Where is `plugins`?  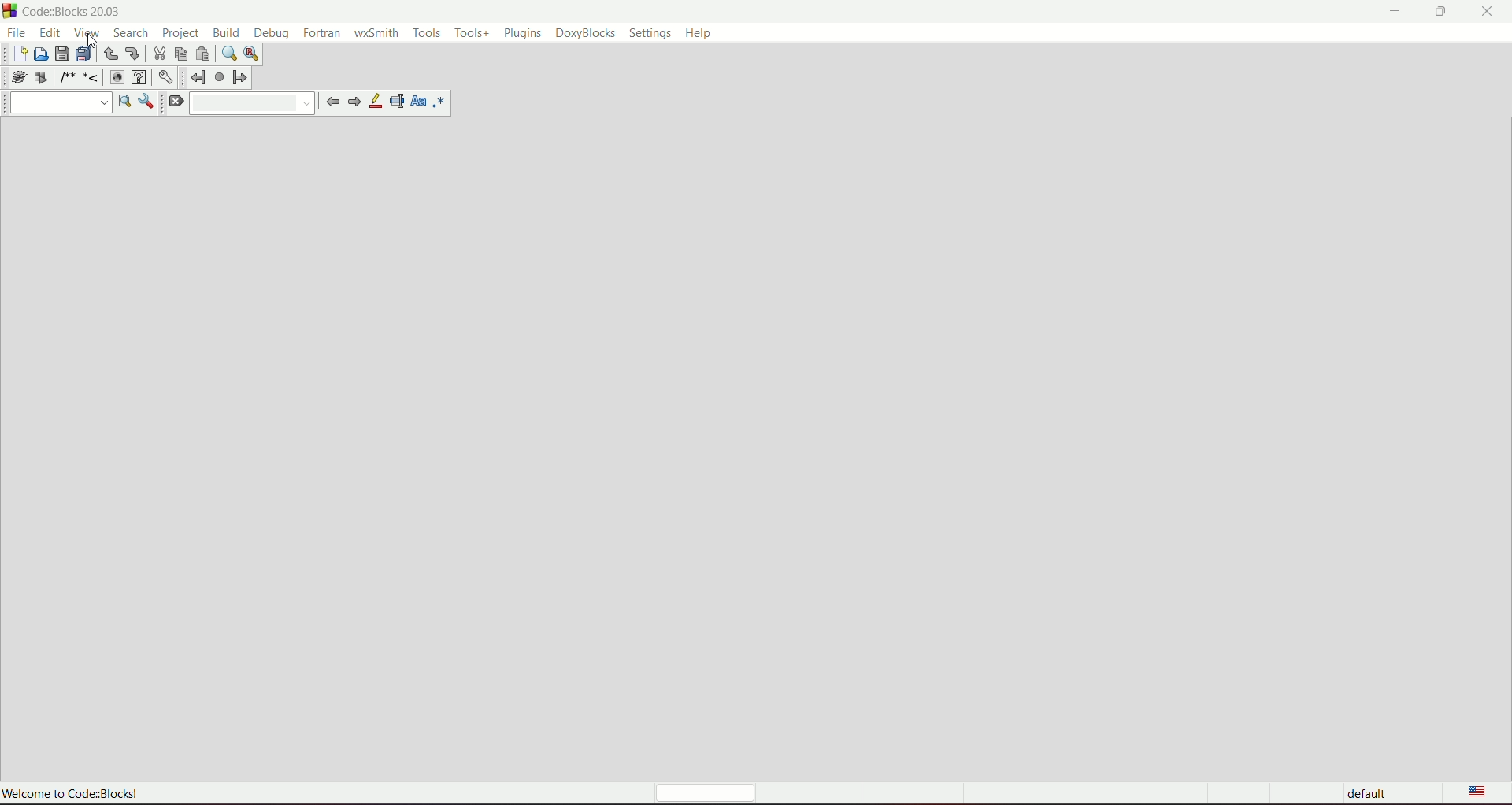
plugins is located at coordinates (521, 33).